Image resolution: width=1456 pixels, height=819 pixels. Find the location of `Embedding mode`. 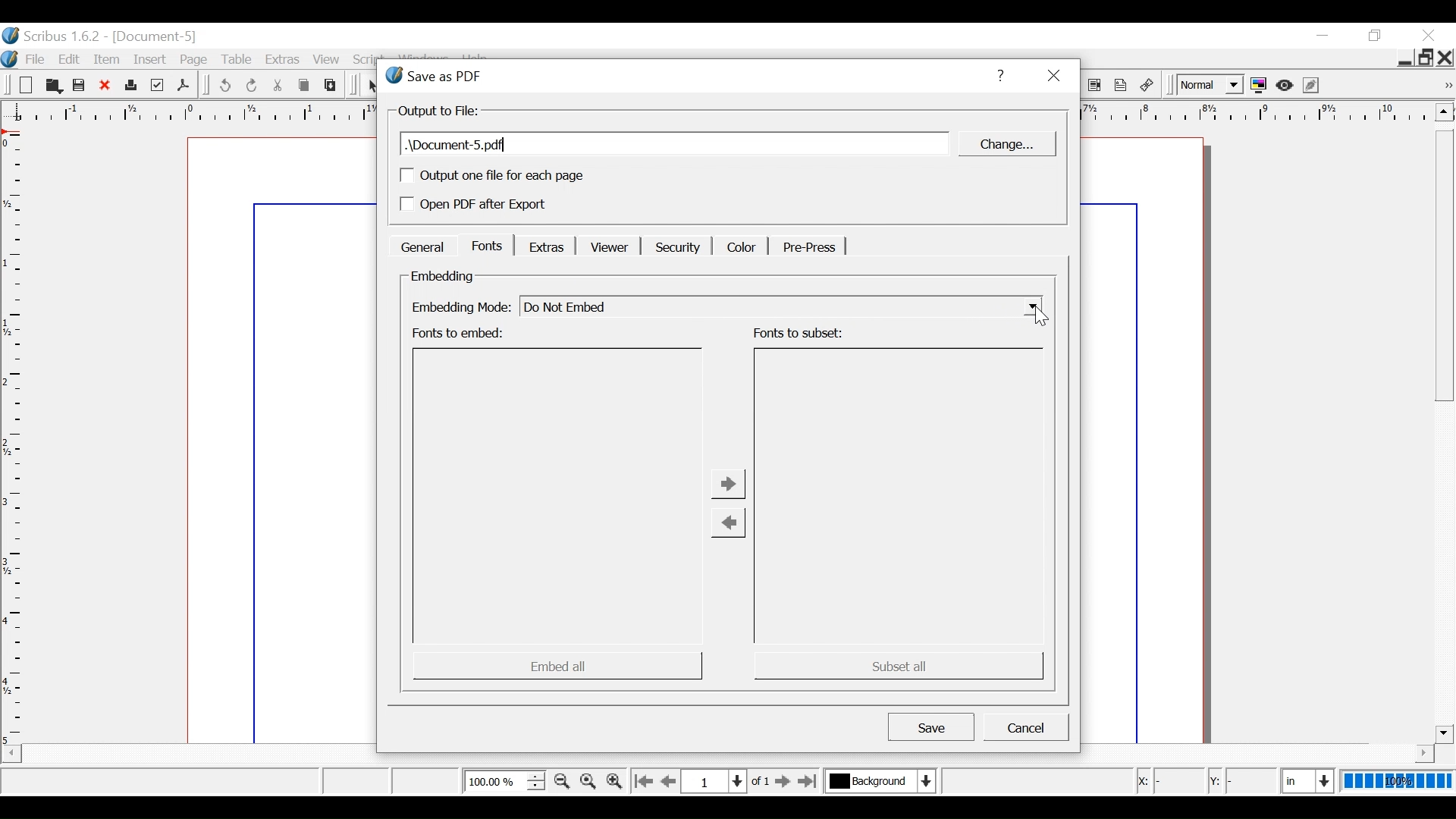

Embedding mode is located at coordinates (459, 308).